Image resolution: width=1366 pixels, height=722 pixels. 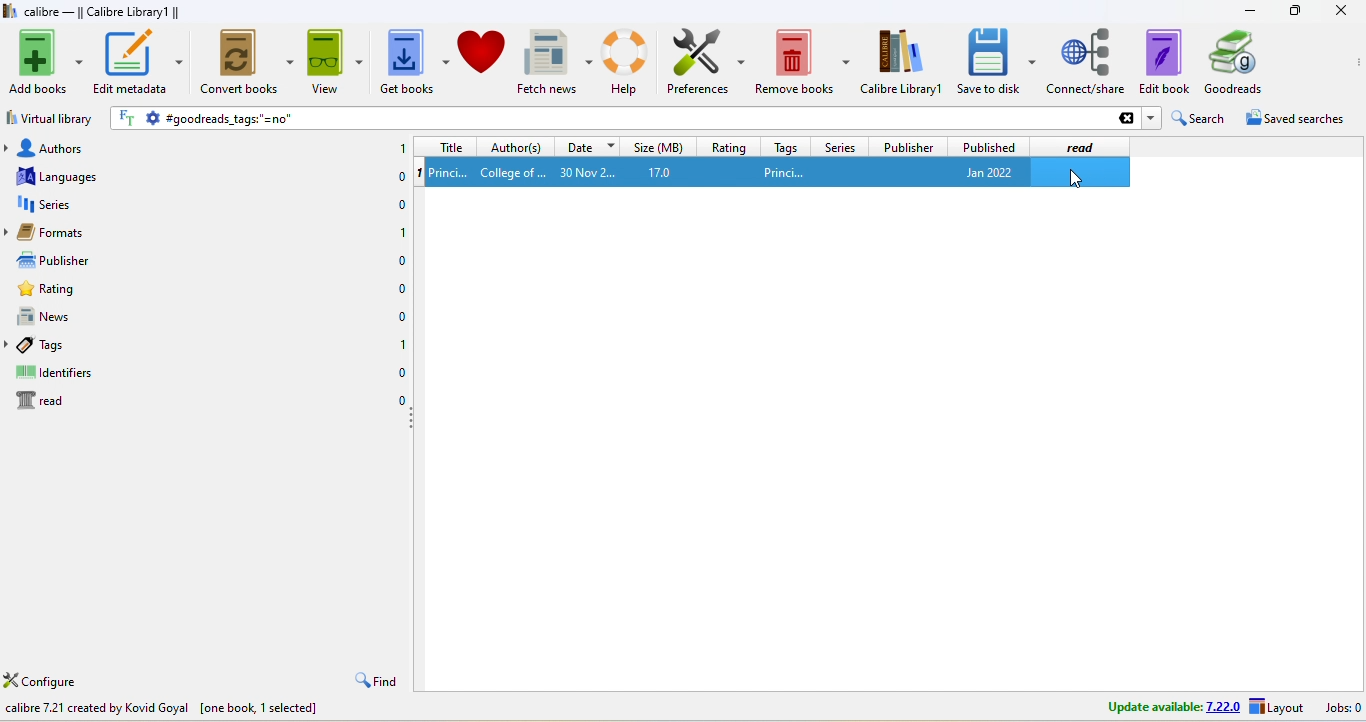 What do you see at coordinates (402, 318) in the screenshot?
I see `0` at bounding box center [402, 318].